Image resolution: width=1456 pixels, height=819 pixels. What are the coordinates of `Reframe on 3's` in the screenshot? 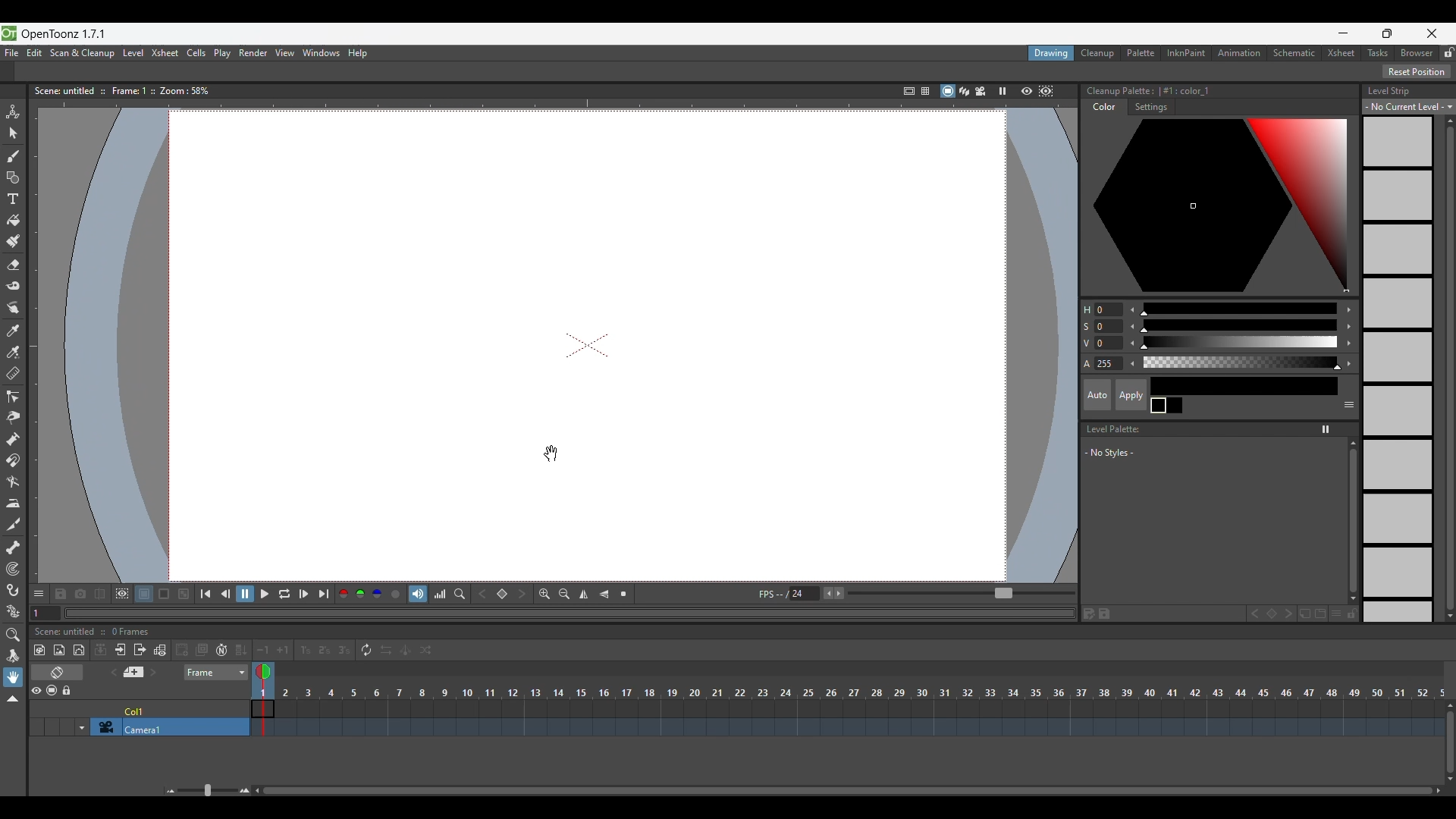 It's located at (344, 650).